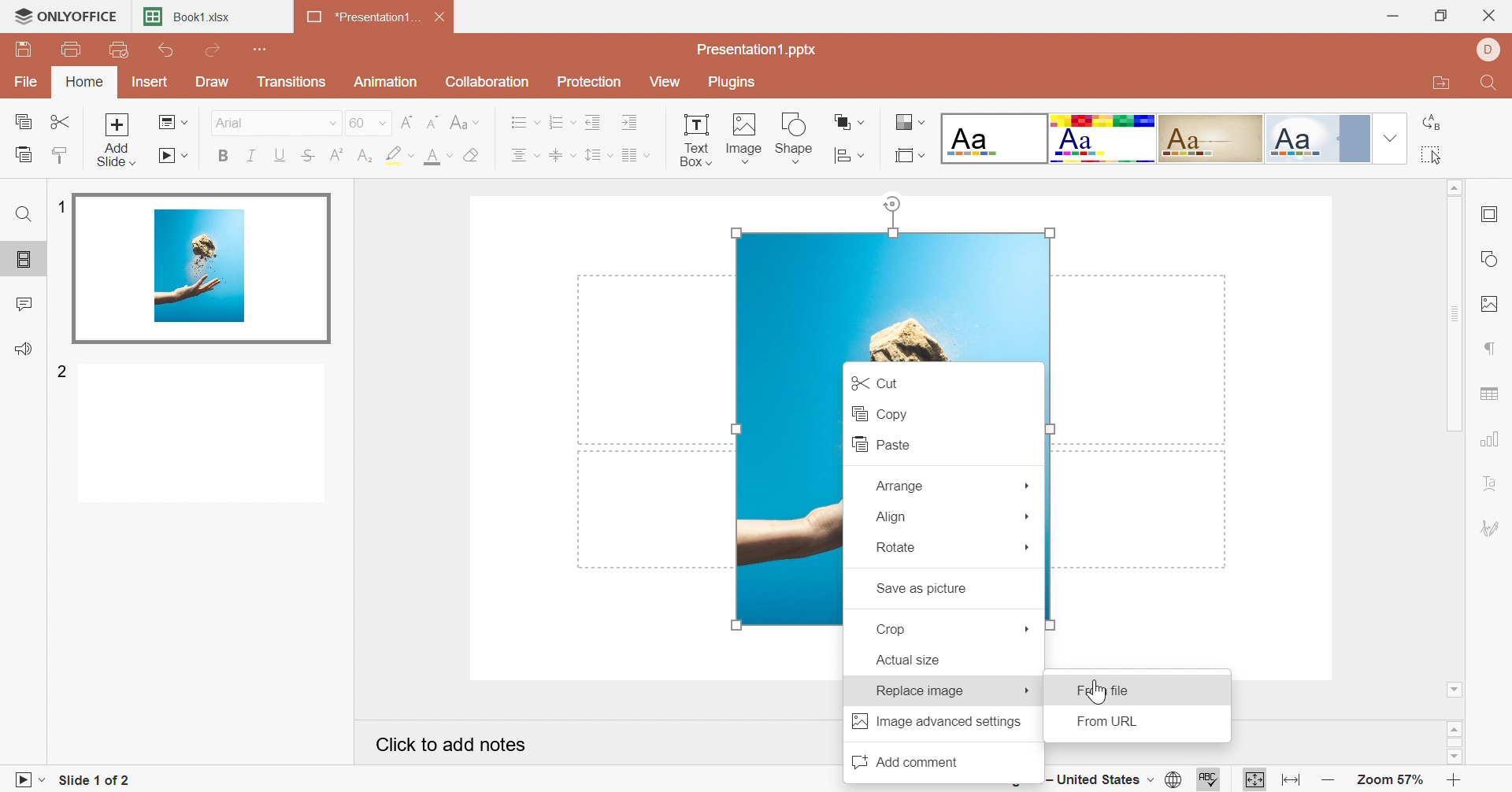 This screenshot has width=1512, height=792. I want to click on Replace image, so click(919, 690).